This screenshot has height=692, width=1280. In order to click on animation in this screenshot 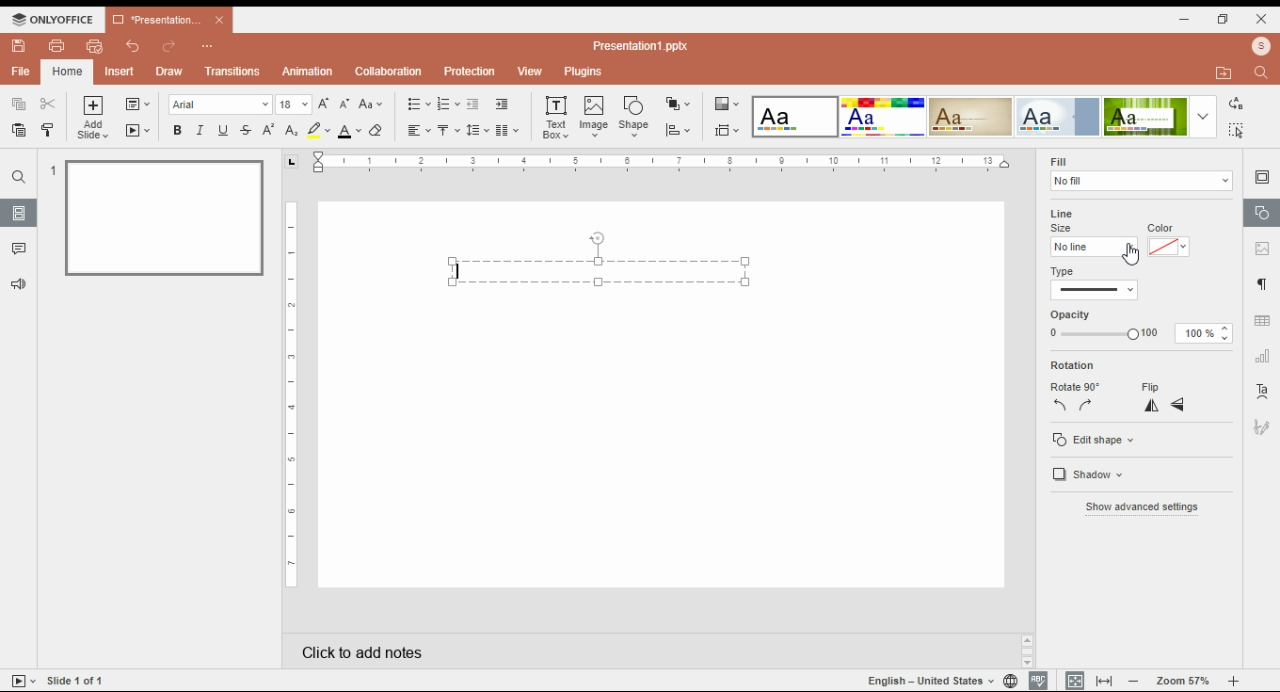, I will do `click(306, 71)`.